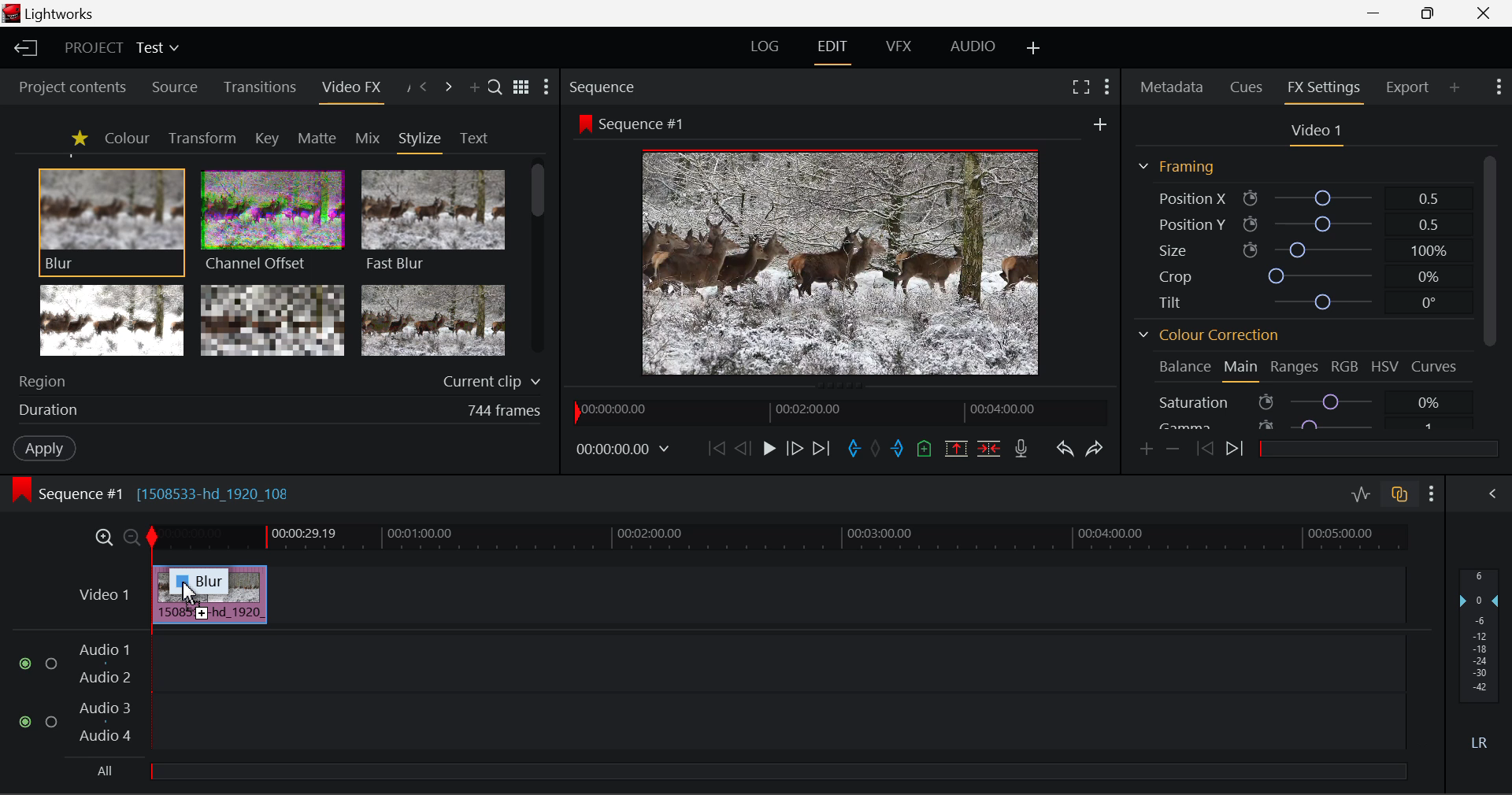 The width and height of the screenshot is (1512, 795). Describe the element at coordinates (1407, 84) in the screenshot. I see `Export` at that location.